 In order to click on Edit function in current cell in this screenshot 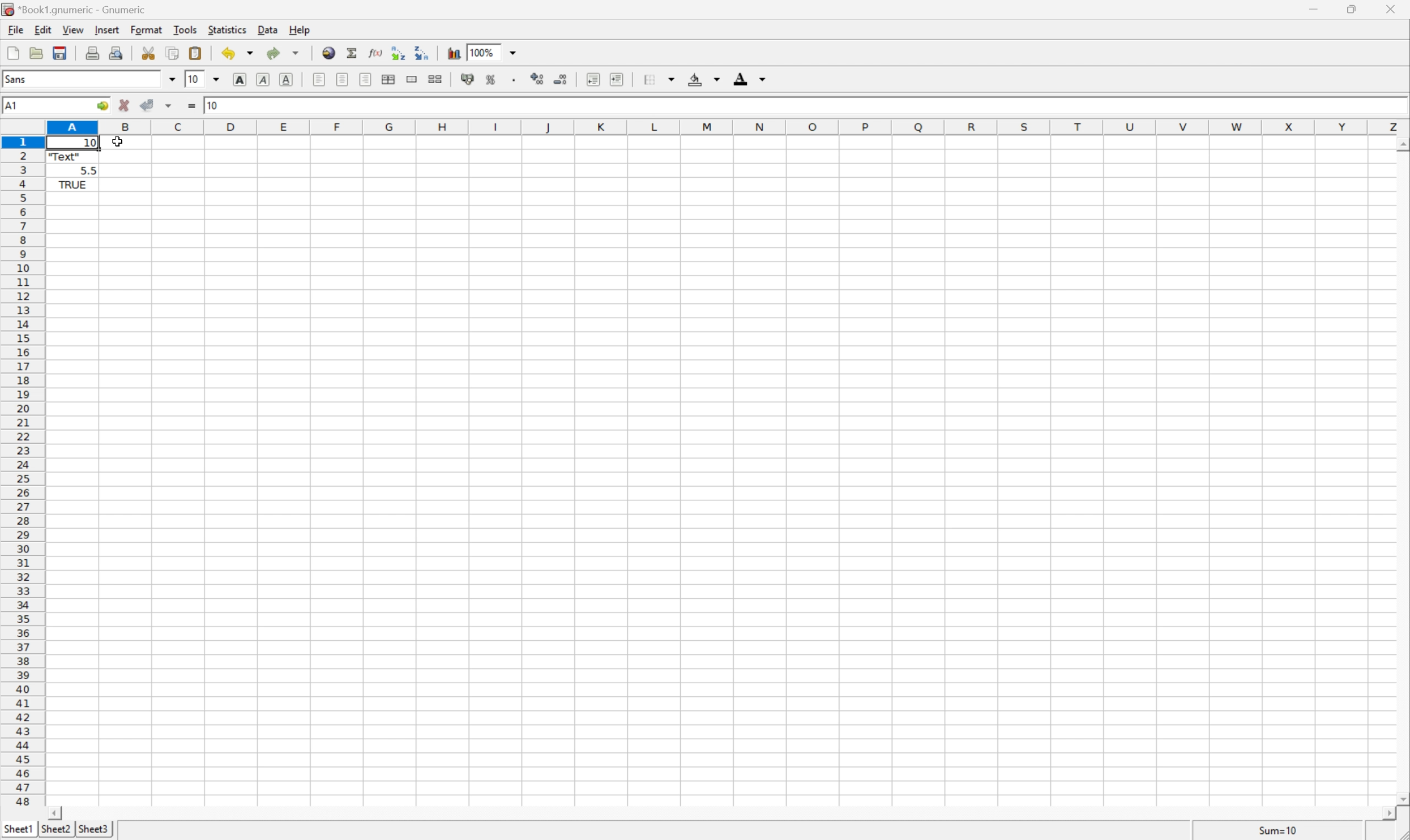, I will do `click(377, 53)`.